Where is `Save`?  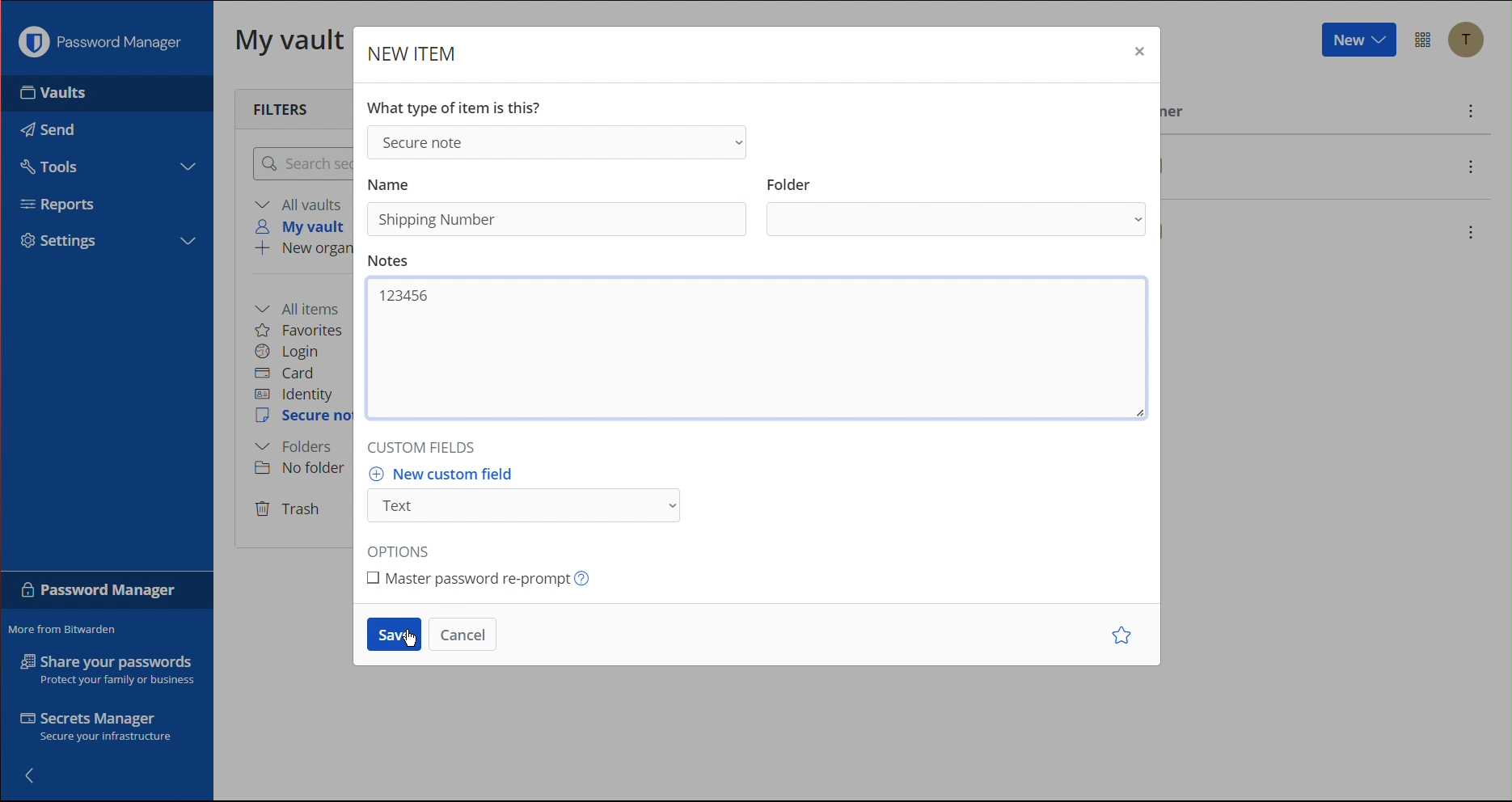 Save is located at coordinates (395, 635).